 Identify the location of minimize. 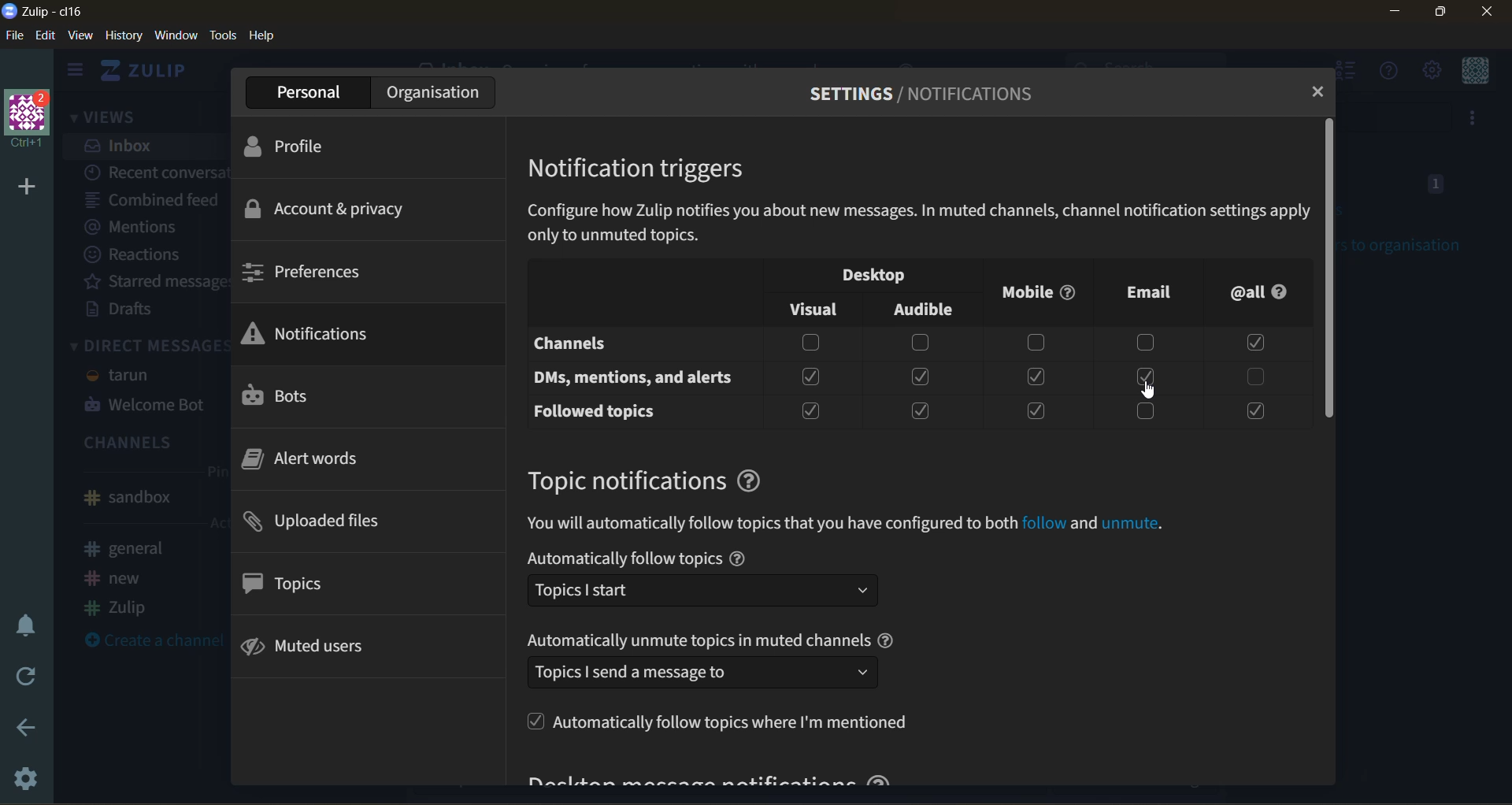
(1389, 14).